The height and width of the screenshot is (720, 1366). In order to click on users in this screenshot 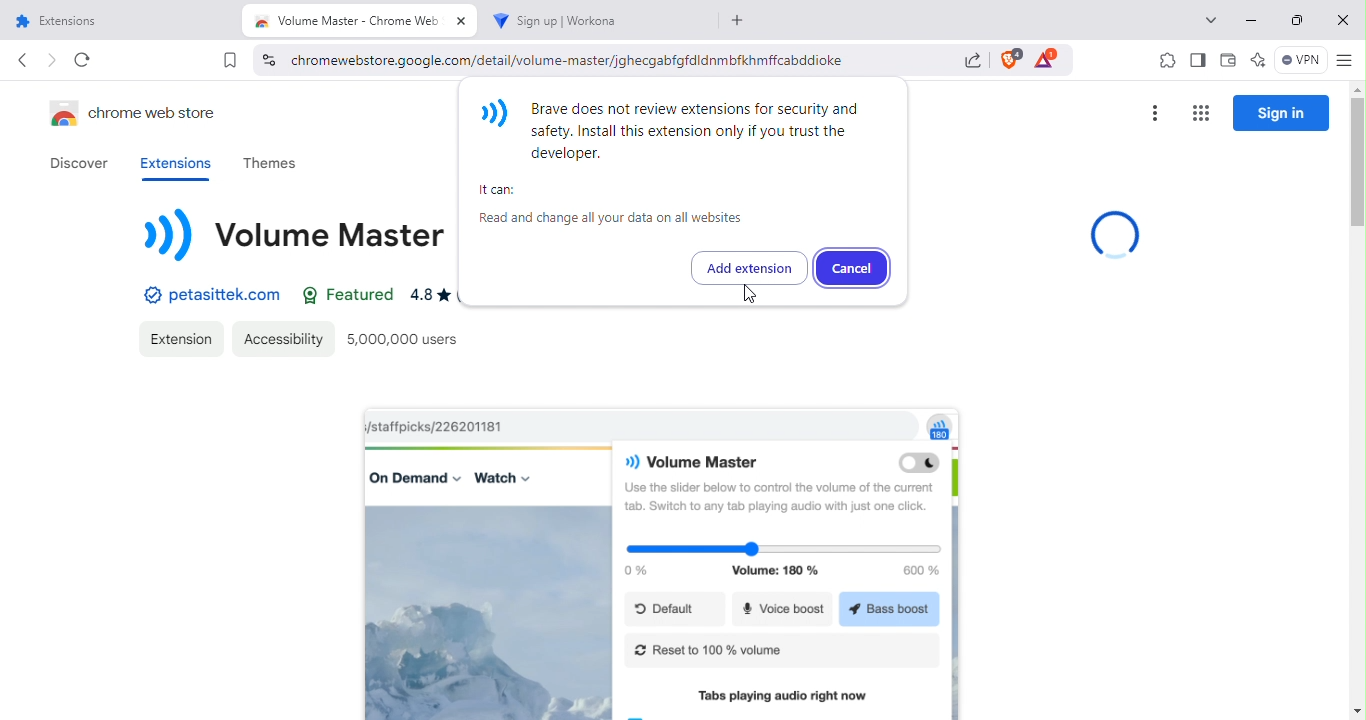, I will do `click(406, 338)`.